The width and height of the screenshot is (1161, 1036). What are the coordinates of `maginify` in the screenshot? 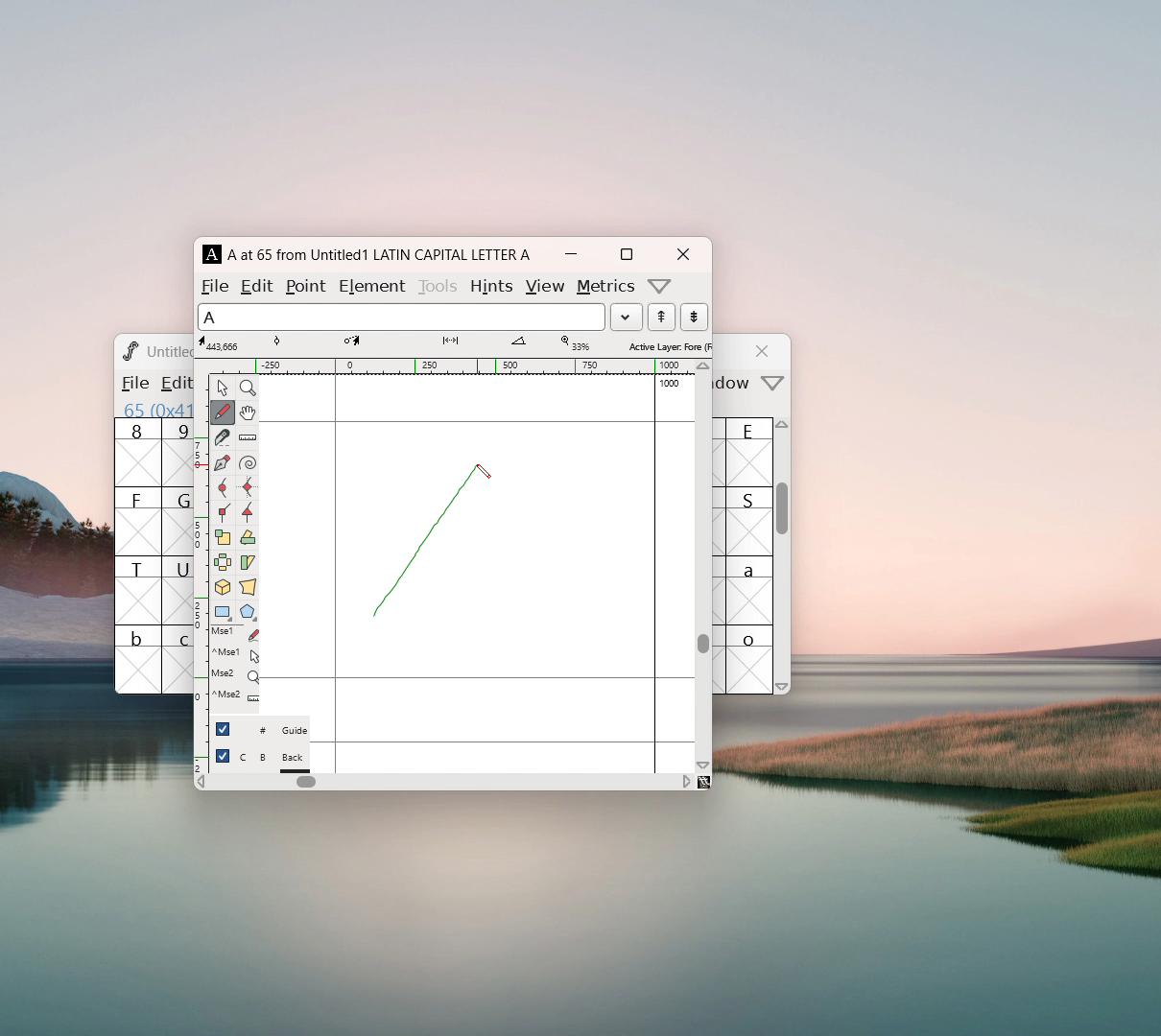 It's located at (248, 388).